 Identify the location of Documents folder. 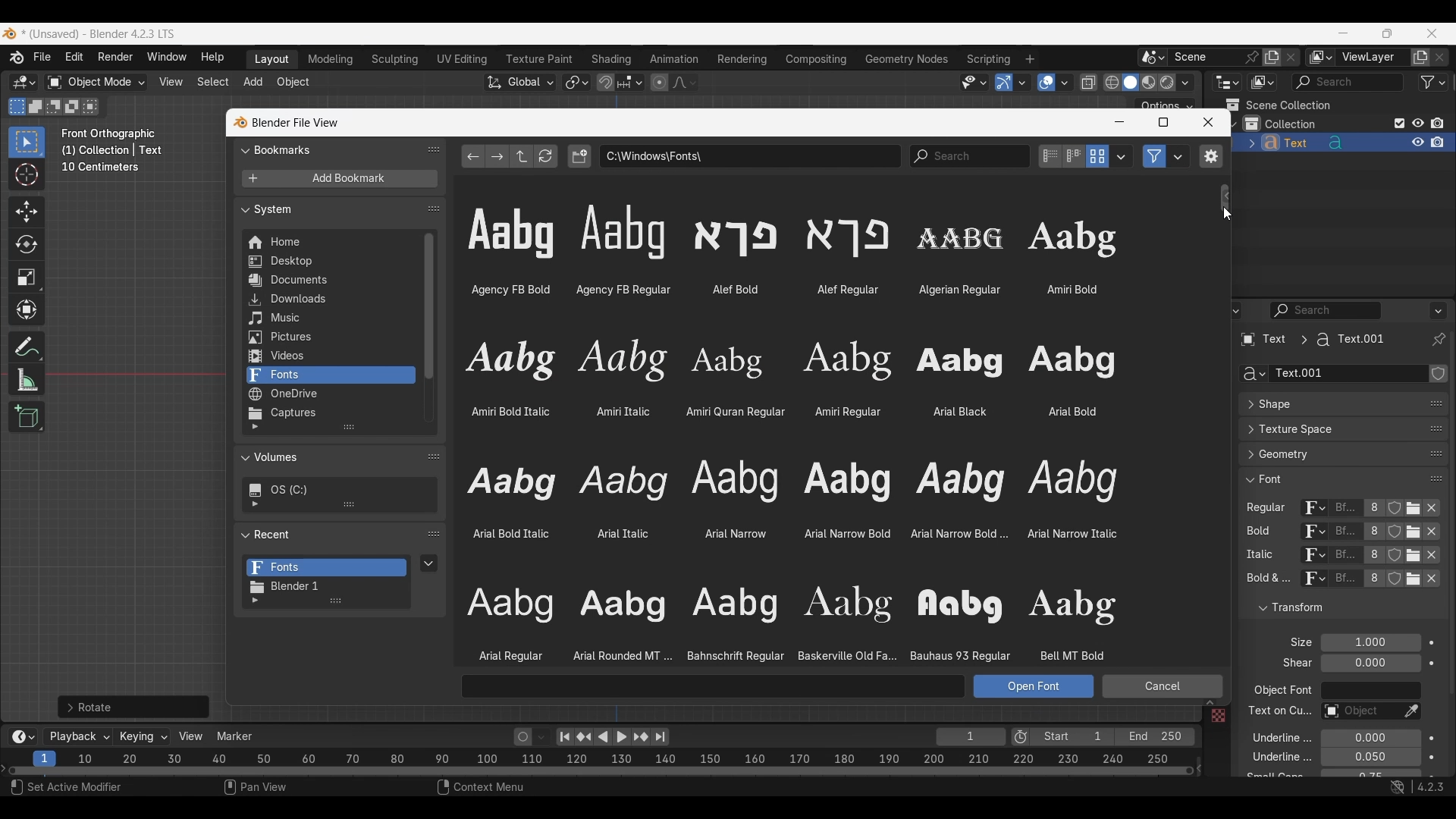
(329, 281).